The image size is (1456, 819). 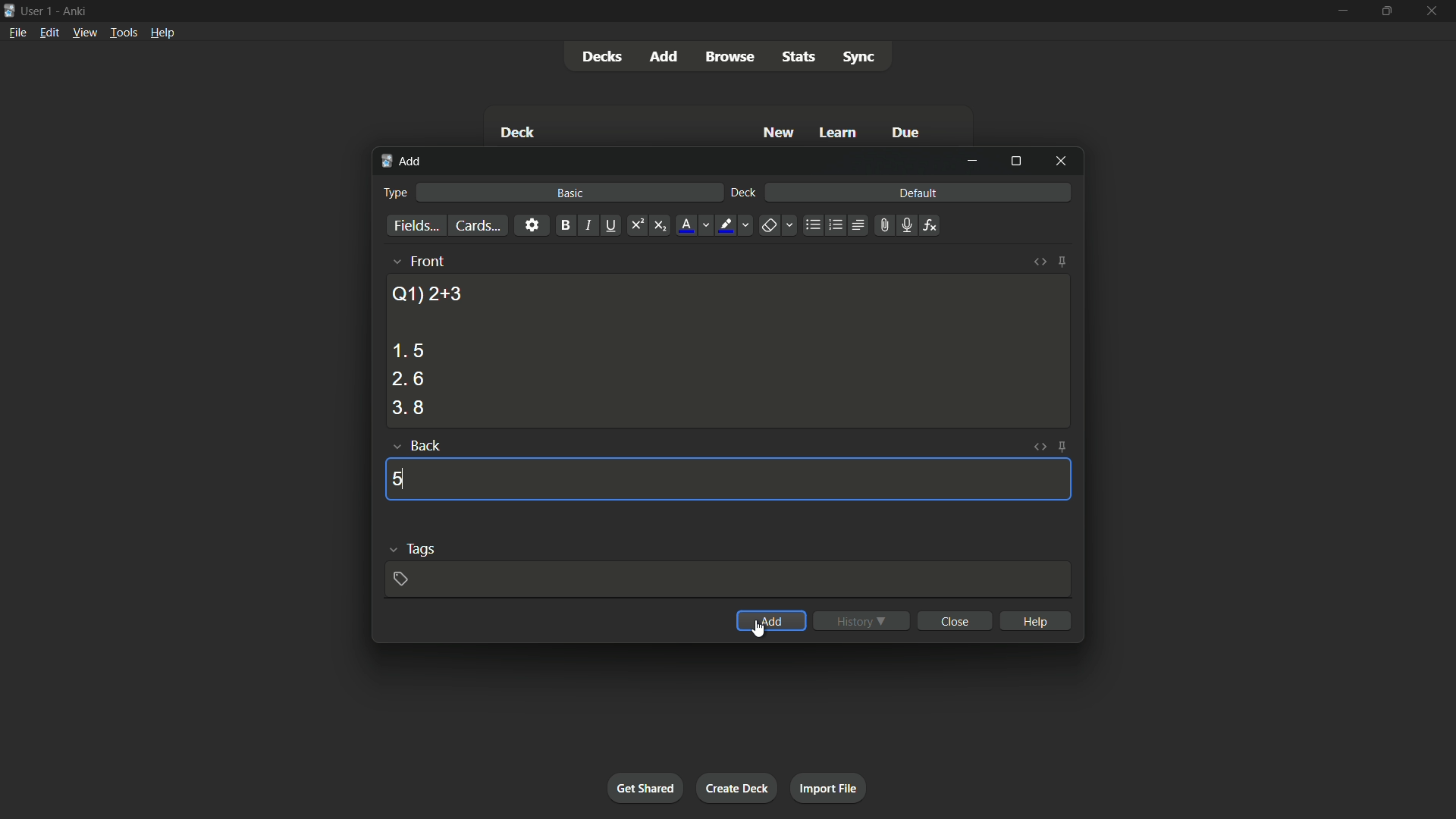 What do you see at coordinates (517, 134) in the screenshot?
I see `deck` at bounding box center [517, 134].